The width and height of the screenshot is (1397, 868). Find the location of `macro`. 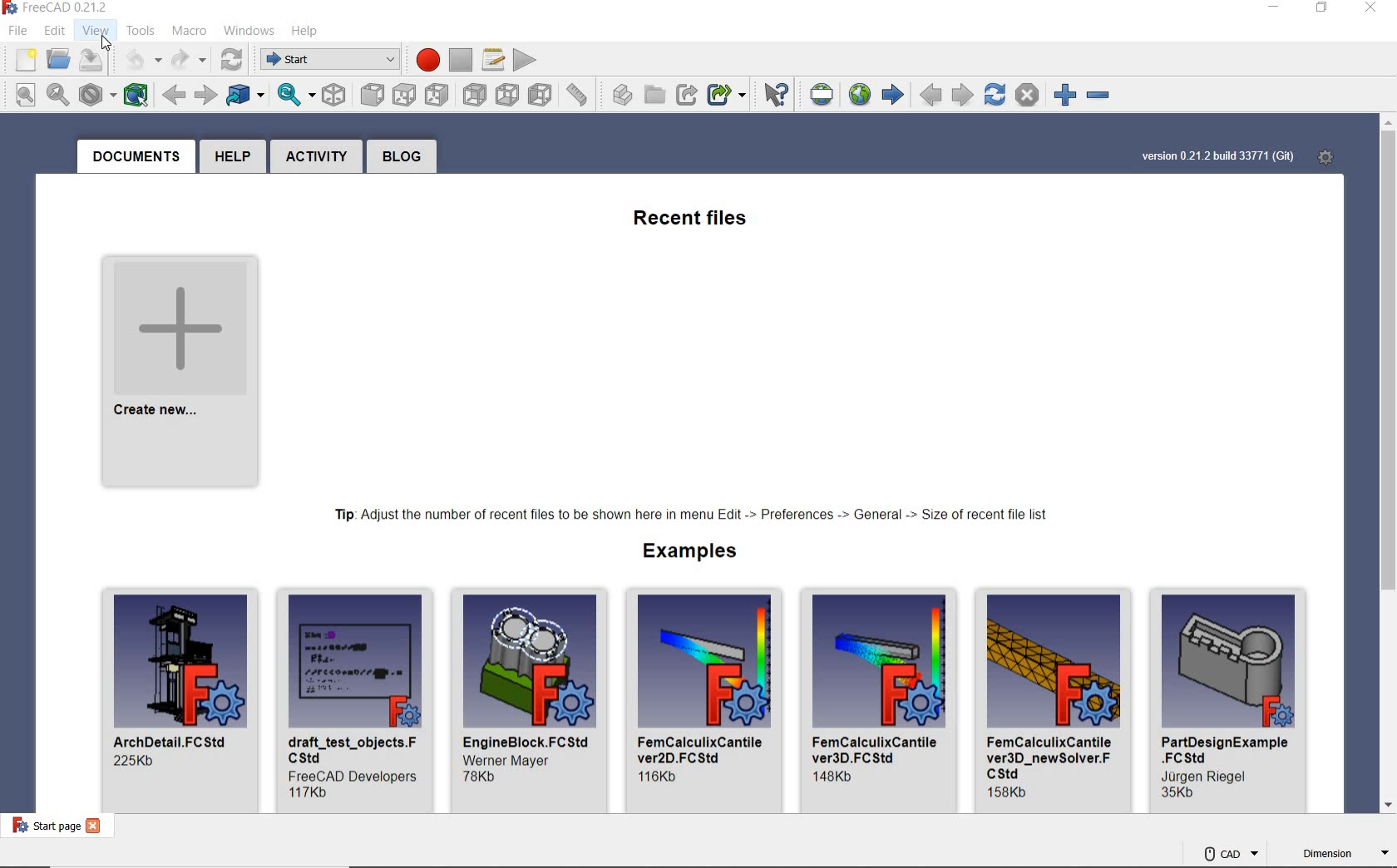

macro is located at coordinates (189, 31).